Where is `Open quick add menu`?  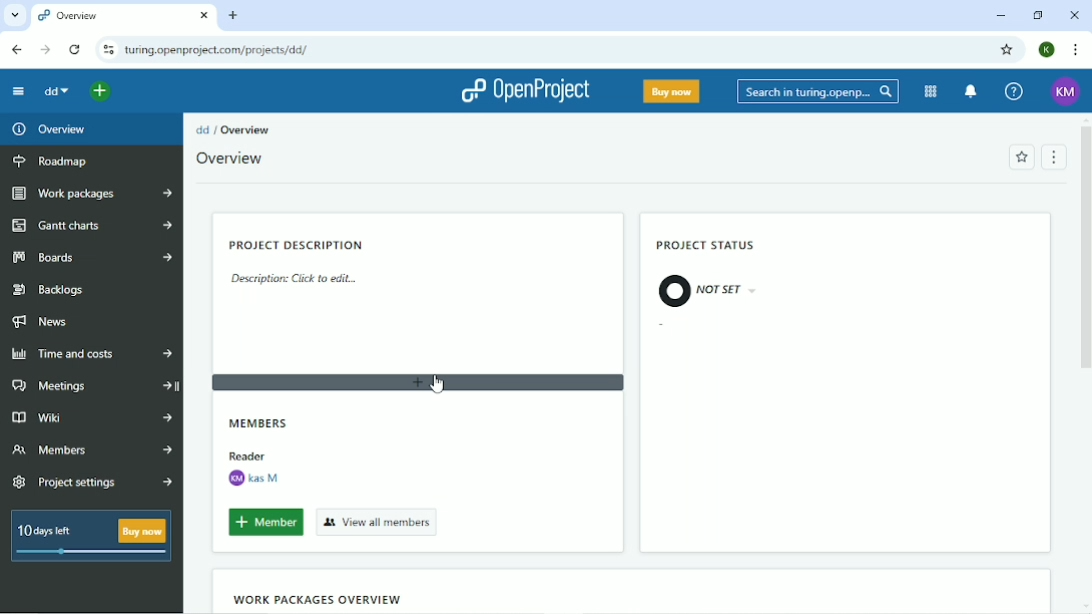 Open quick add menu is located at coordinates (100, 91).